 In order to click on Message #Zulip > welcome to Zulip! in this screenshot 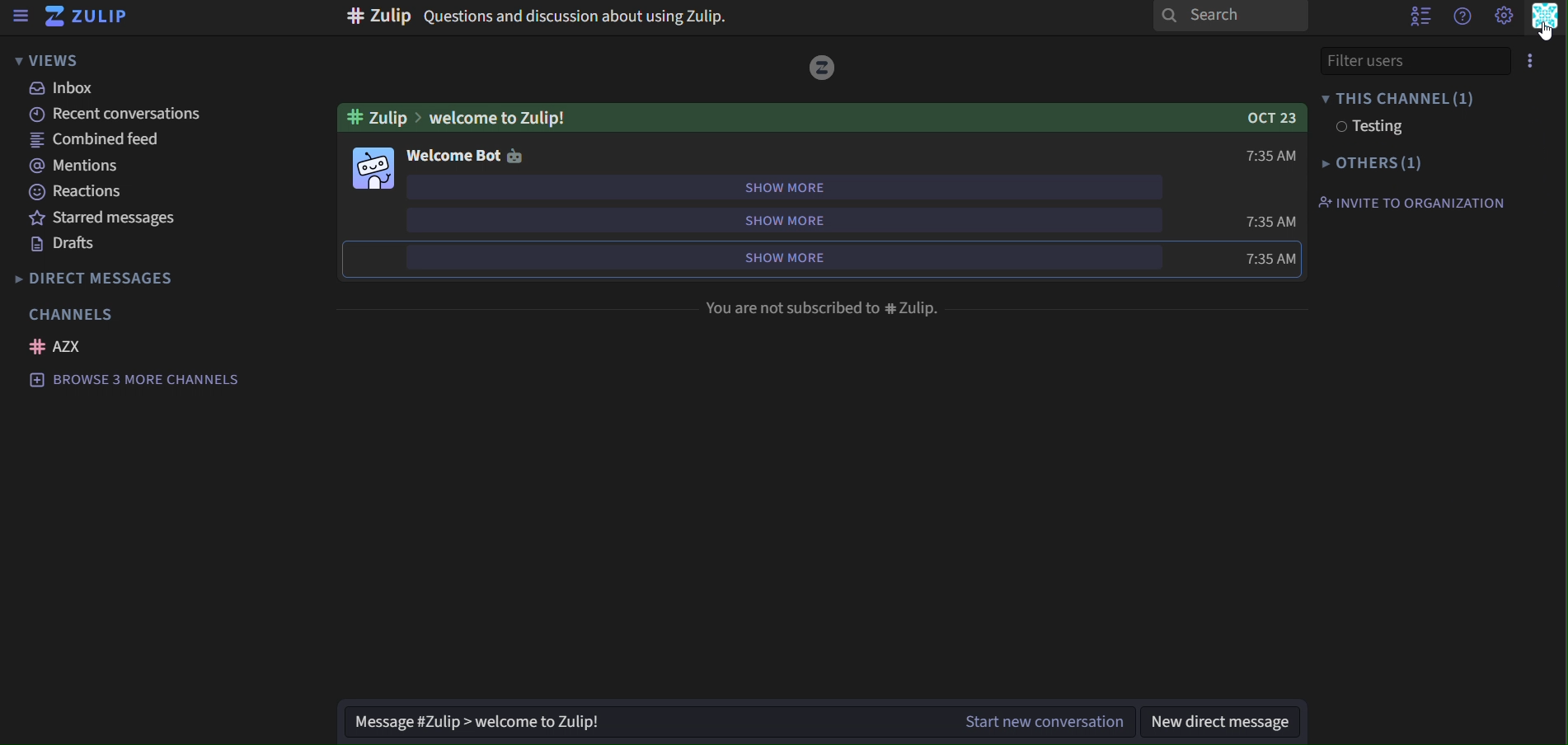, I will do `click(641, 724)`.